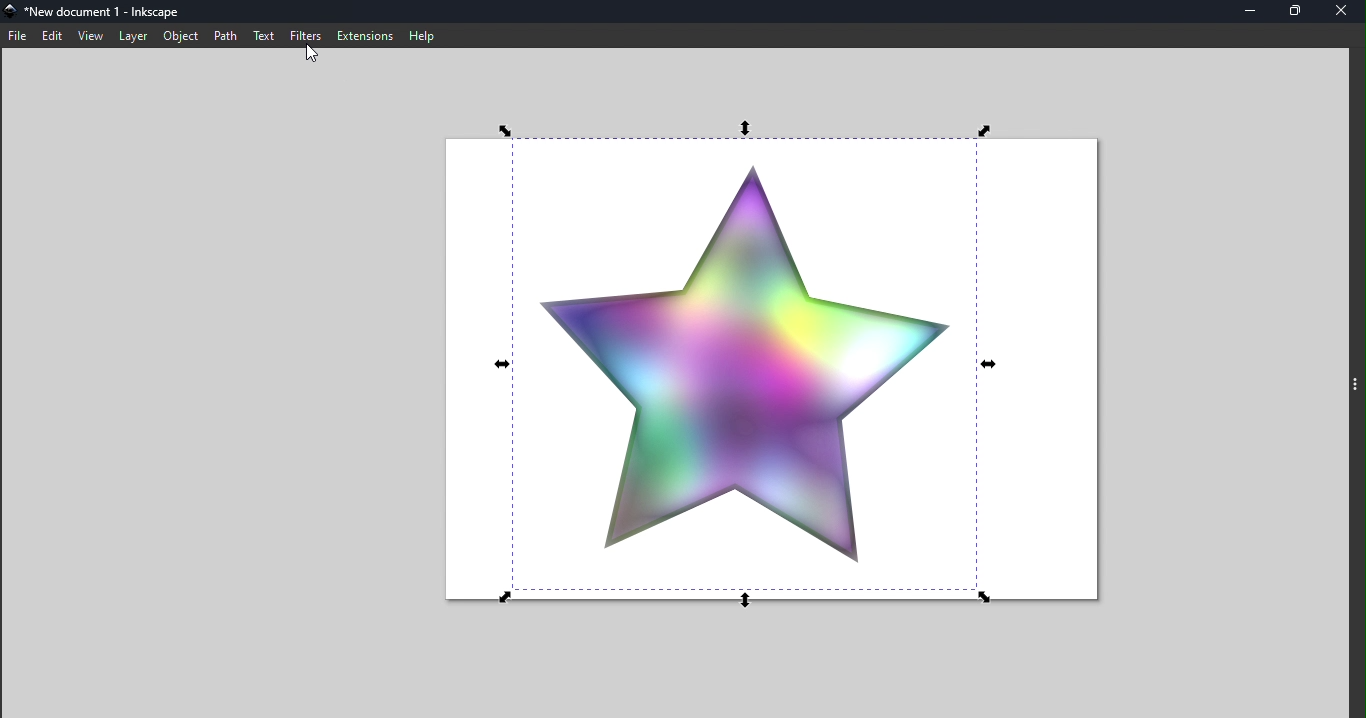 This screenshot has height=718, width=1366. Describe the element at coordinates (1354, 393) in the screenshot. I see `toggle command panel` at that location.